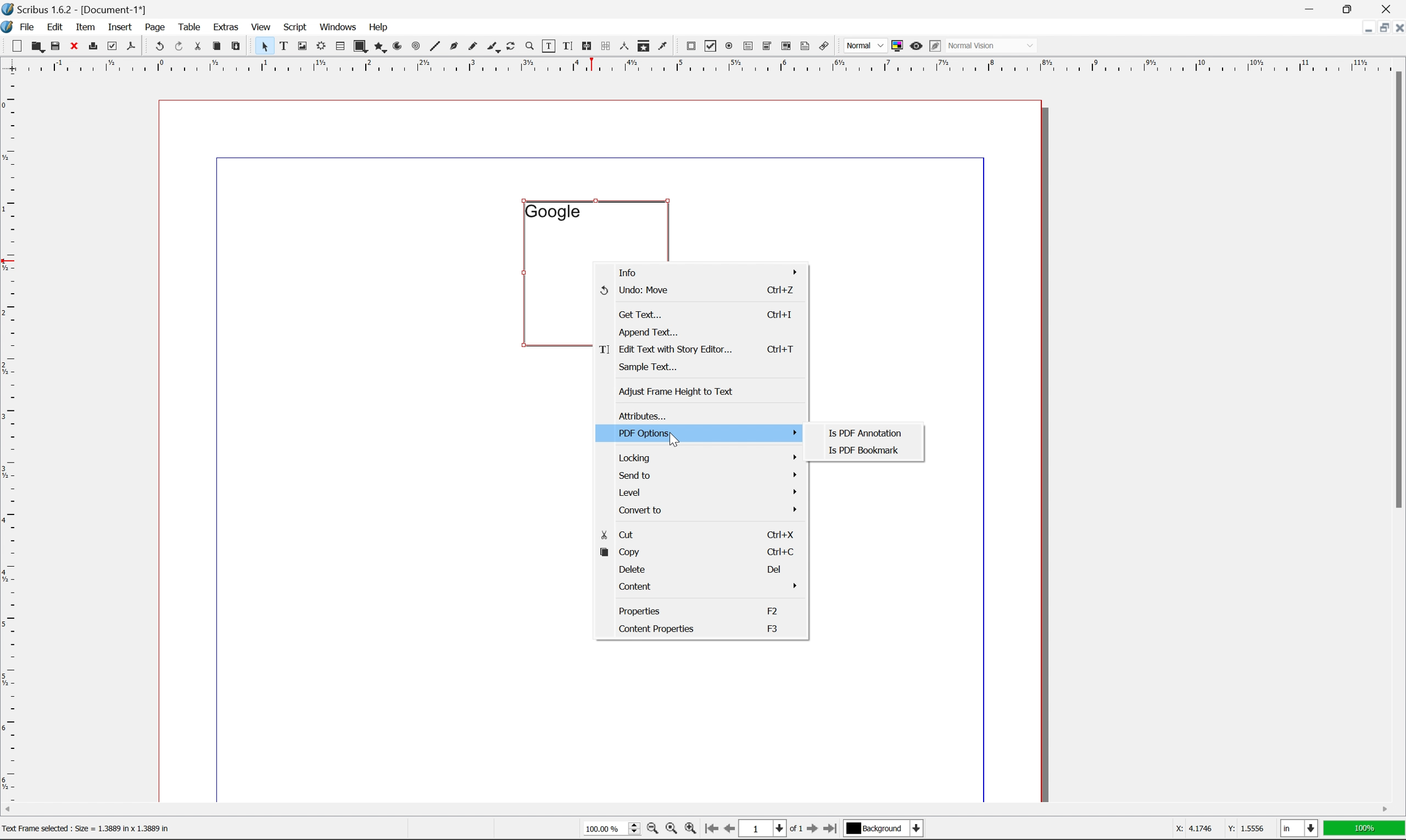 This screenshot has width=1406, height=840. What do you see at coordinates (1301, 829) in the screenshot?
I see `select current unit` at bounding box center [1301, 829].